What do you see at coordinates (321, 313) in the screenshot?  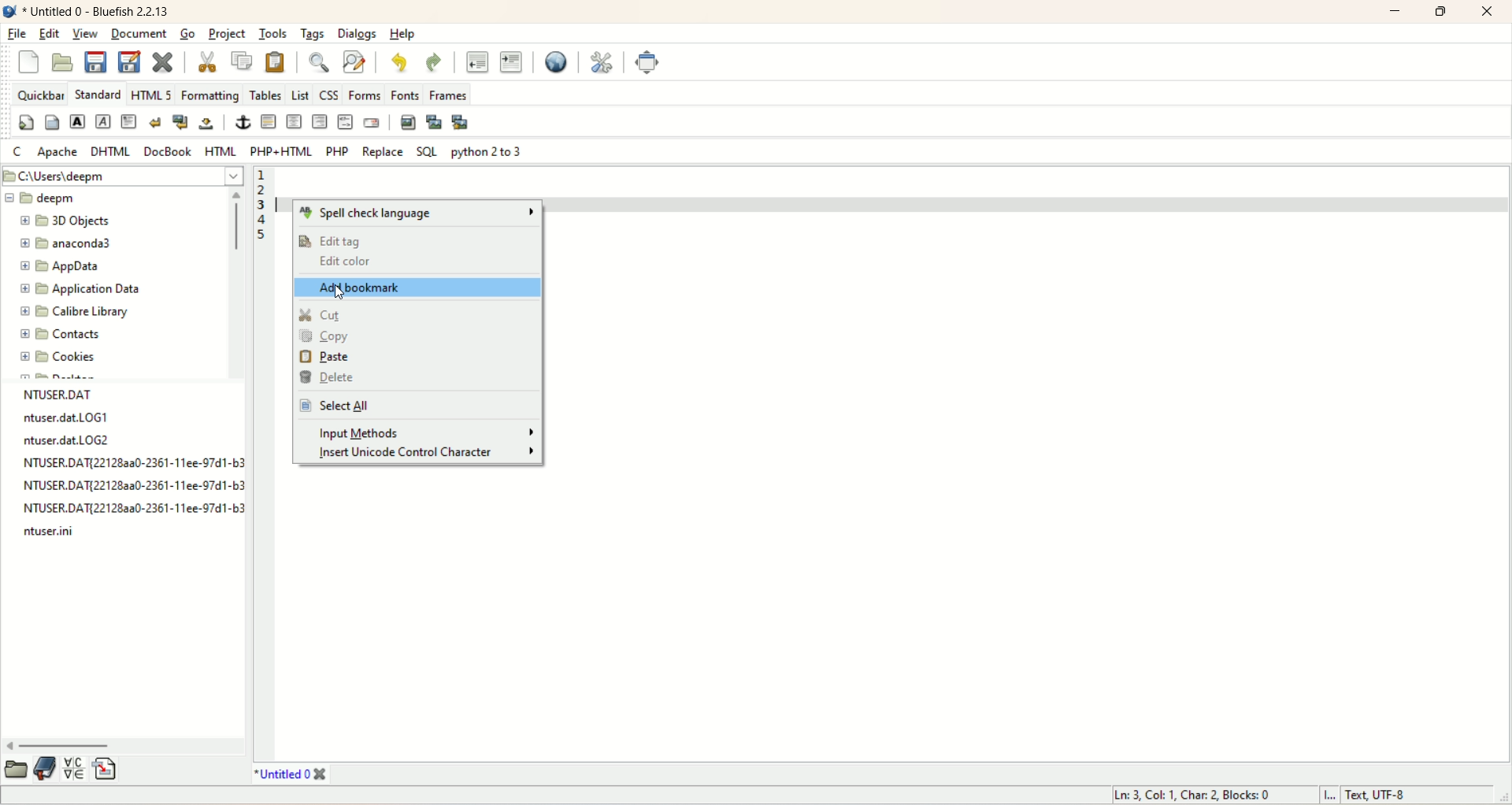 I see `cut` at bounding box center [321, 313].